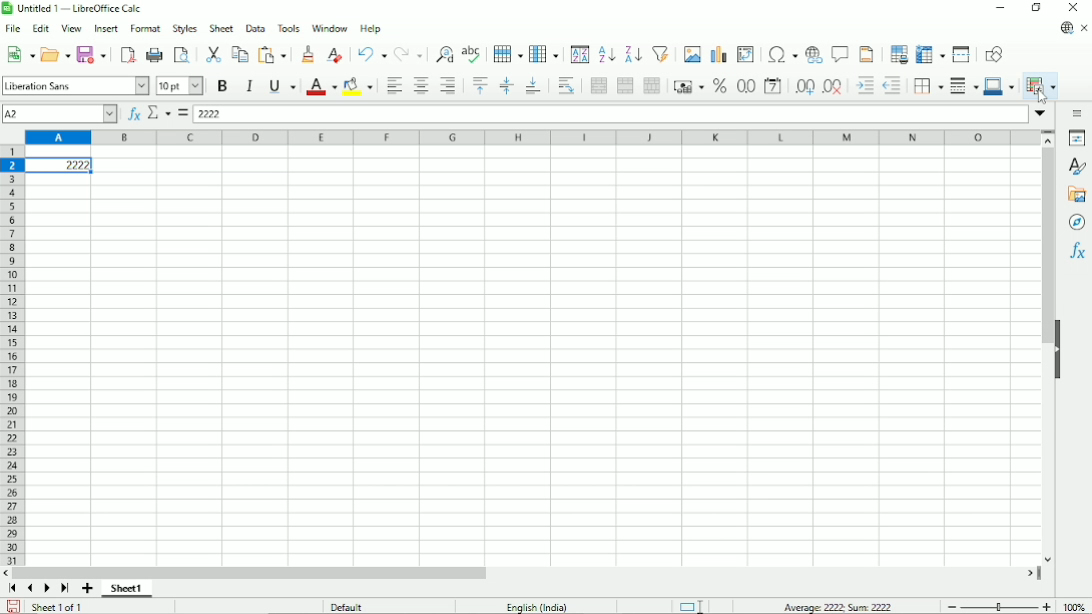  I want to click on Spell check, so click(473, 53).